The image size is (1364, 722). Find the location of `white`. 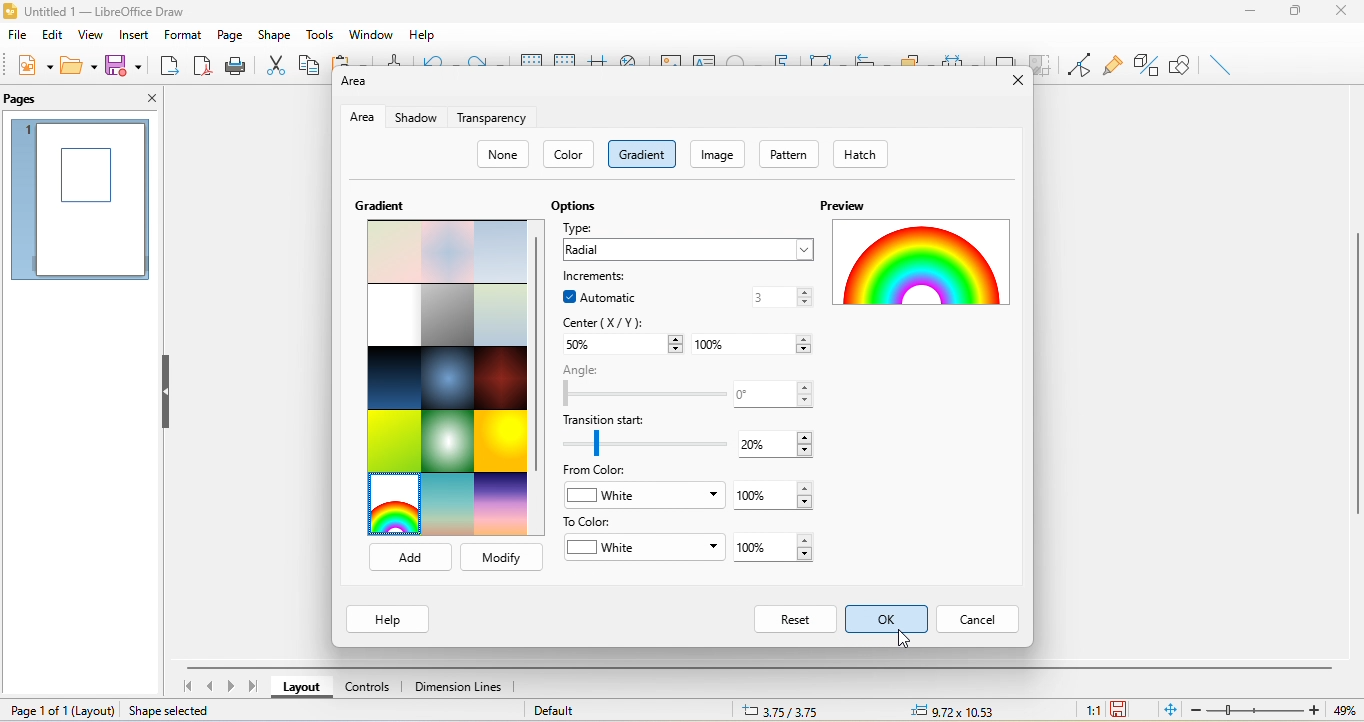

white is located at coordinates (647, 549).